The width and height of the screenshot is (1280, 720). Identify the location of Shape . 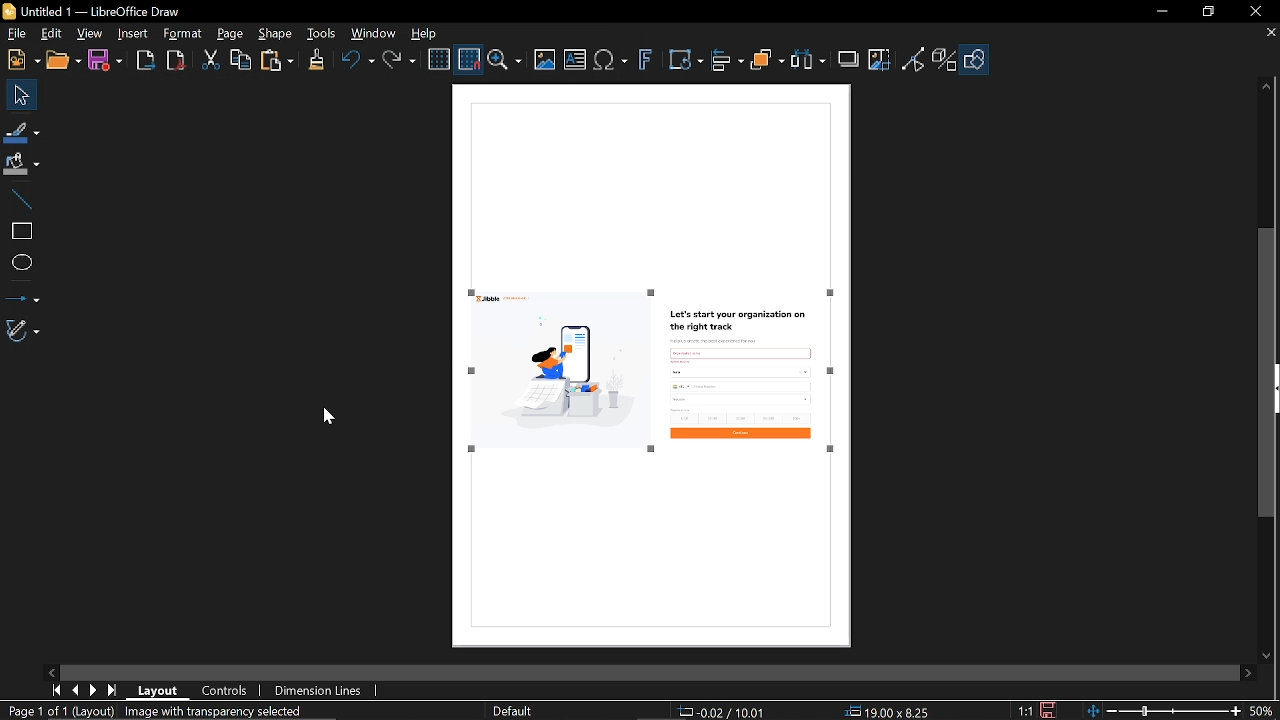
(276, 34).